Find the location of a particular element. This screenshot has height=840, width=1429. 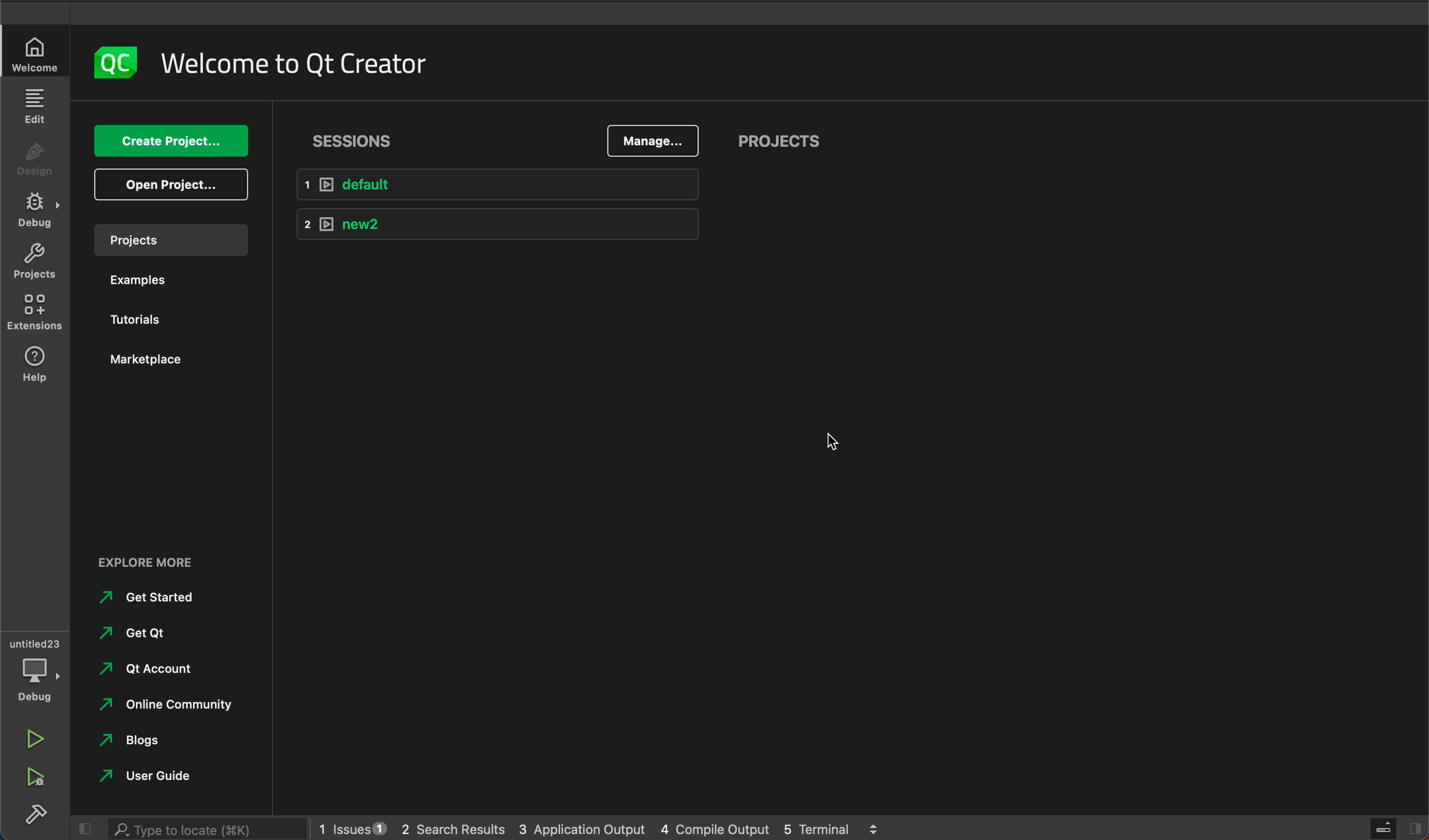

run debug is located at coordinates (32, 776).